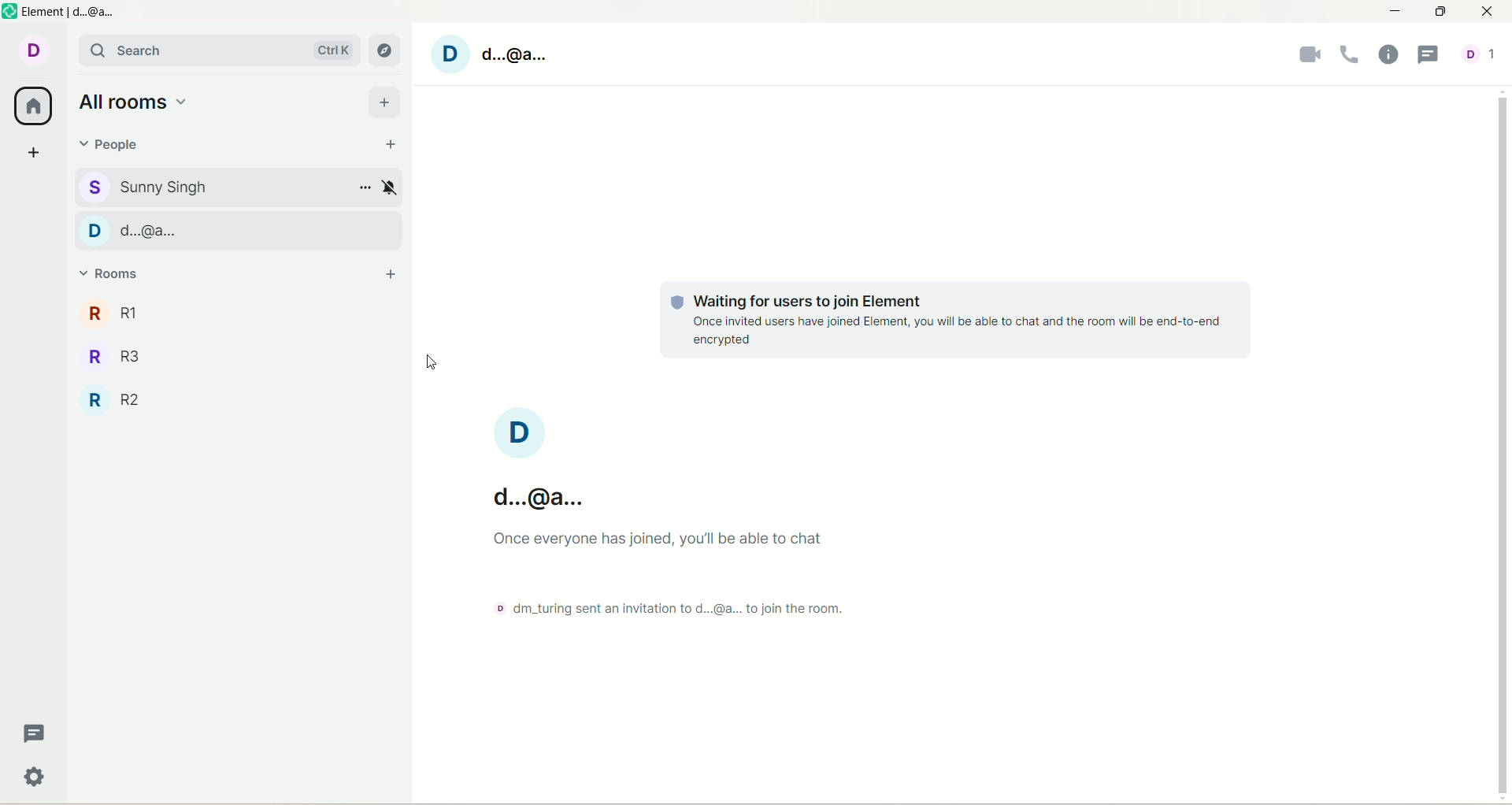 This screenshot has width=1512, height=805. What do you see at coordinates (36, 775) in the screenshot?
I see `settings` at bounding box center [36, 775].